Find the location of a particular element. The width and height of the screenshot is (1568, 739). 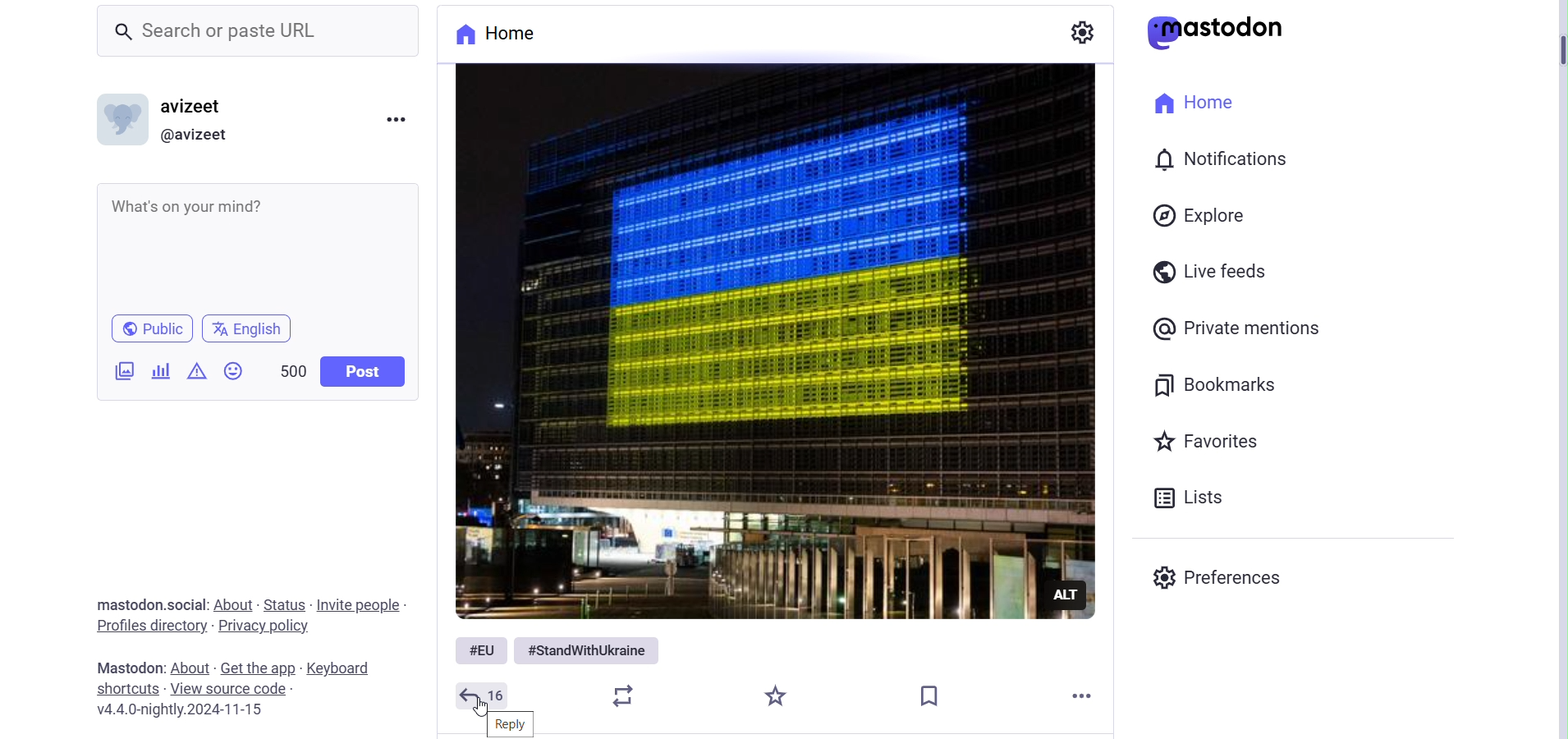

Text is located at coordinates (153, 605).